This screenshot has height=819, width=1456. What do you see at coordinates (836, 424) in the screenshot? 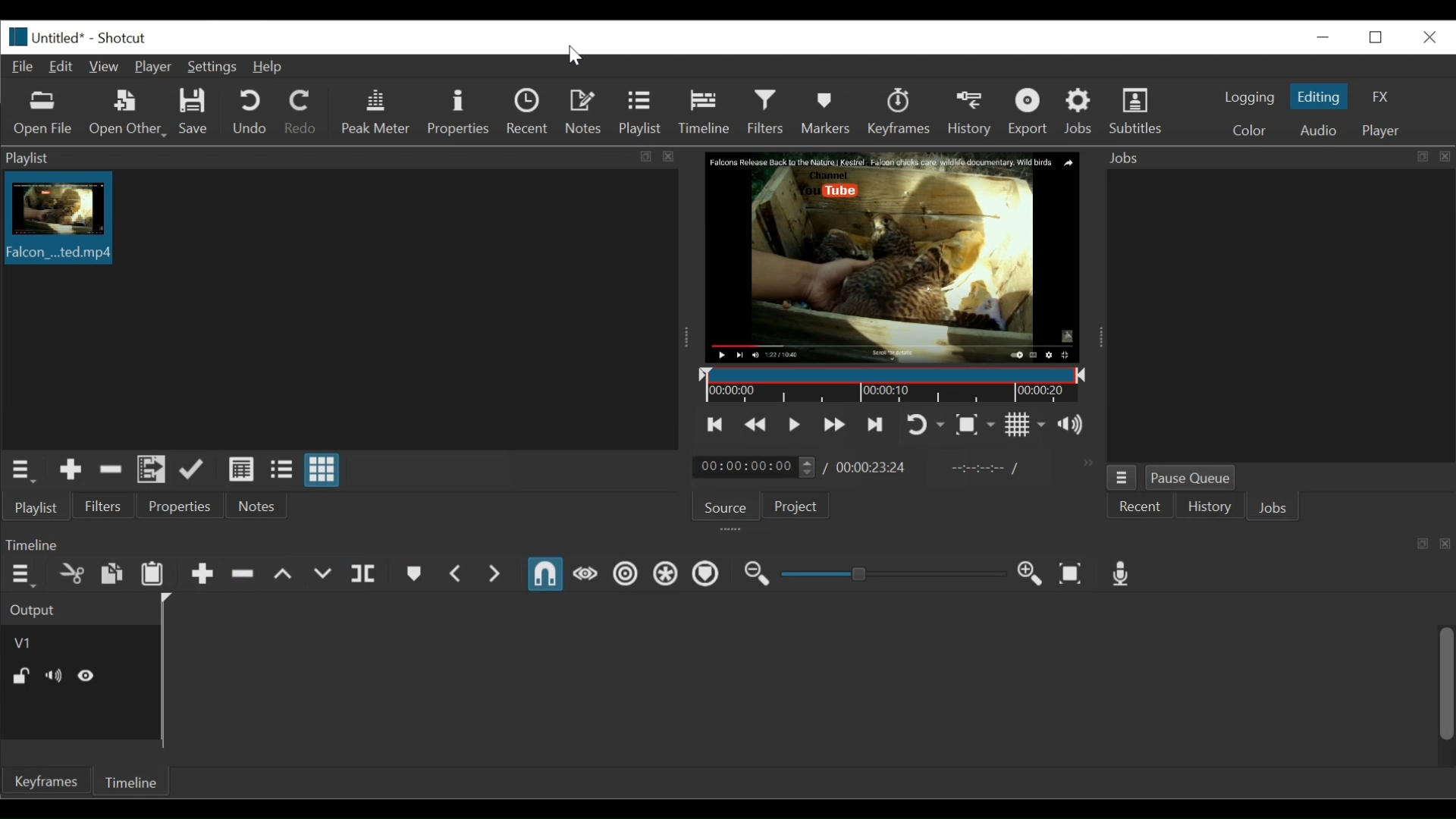
I see `Play quickly forward` at bounding box center [836, 424].